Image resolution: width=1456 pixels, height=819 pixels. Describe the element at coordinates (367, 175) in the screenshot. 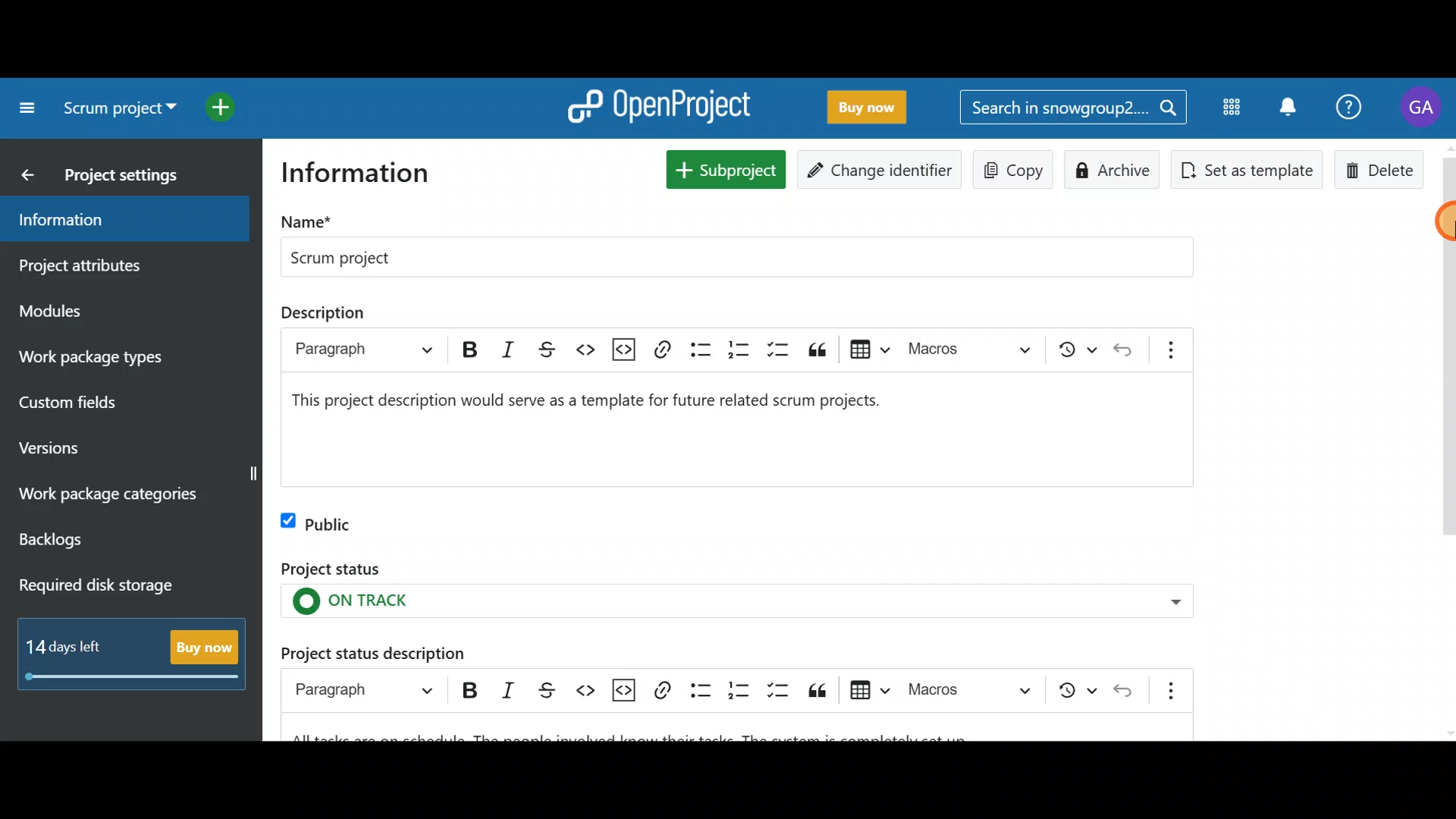

I see `Information` at that location.